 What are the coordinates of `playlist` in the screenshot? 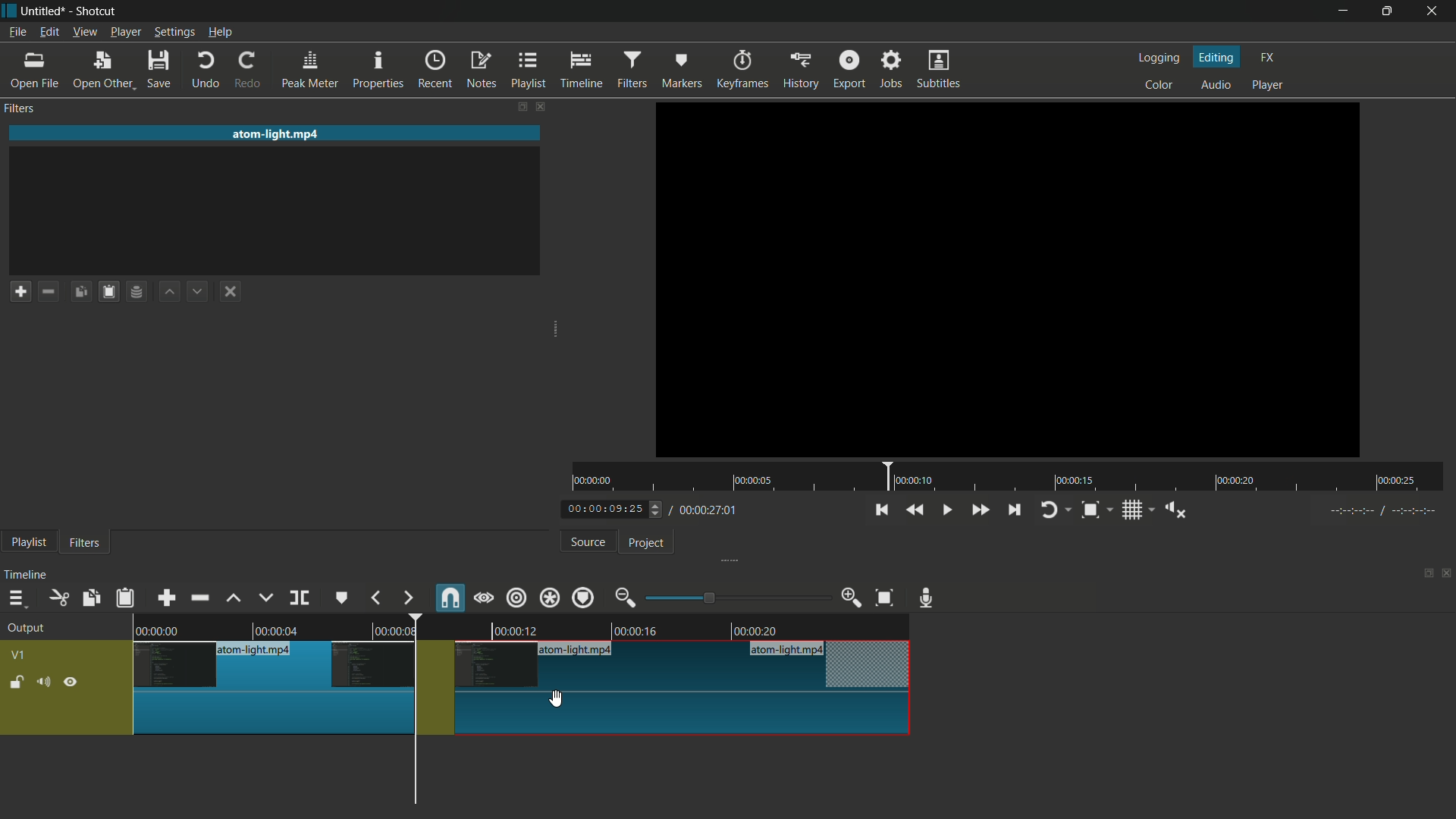 It's located at (529, 71).